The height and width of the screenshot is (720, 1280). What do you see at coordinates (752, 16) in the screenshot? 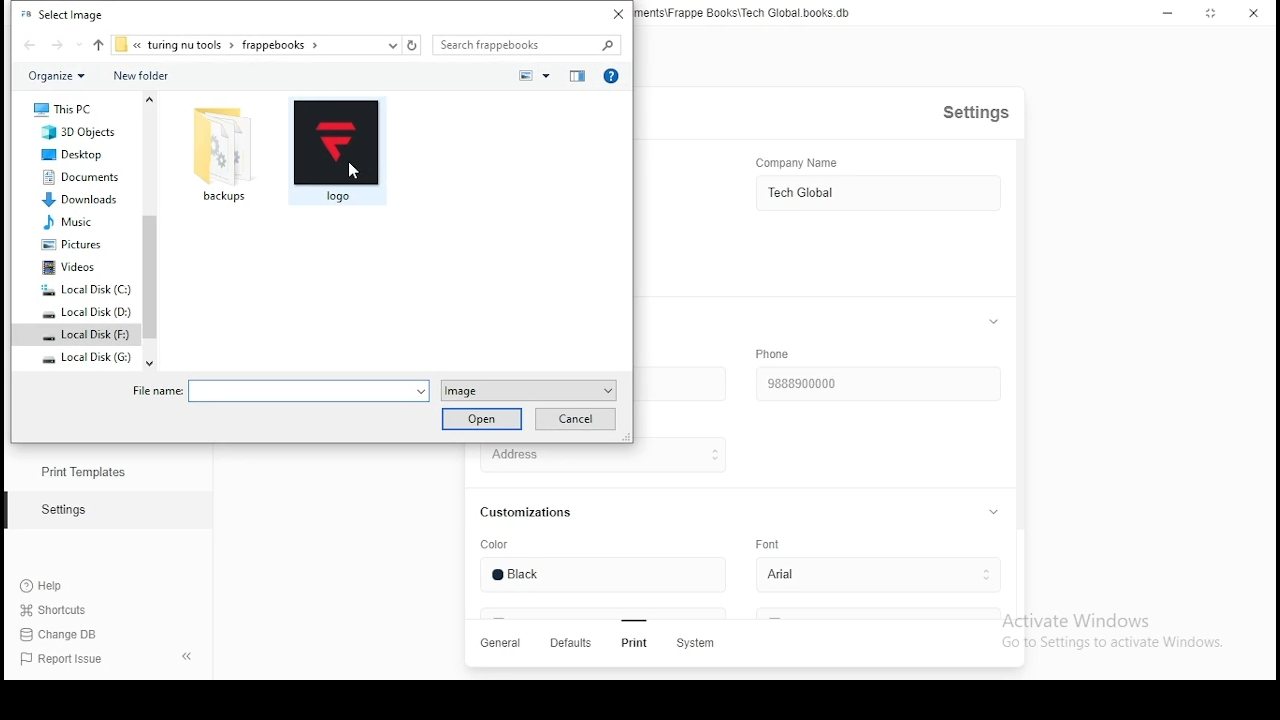
I see `Tech Global - C:\Users\Sayan\Documents\Frappe Books\Tech Global. books. db` at bounding box center [752, 16].